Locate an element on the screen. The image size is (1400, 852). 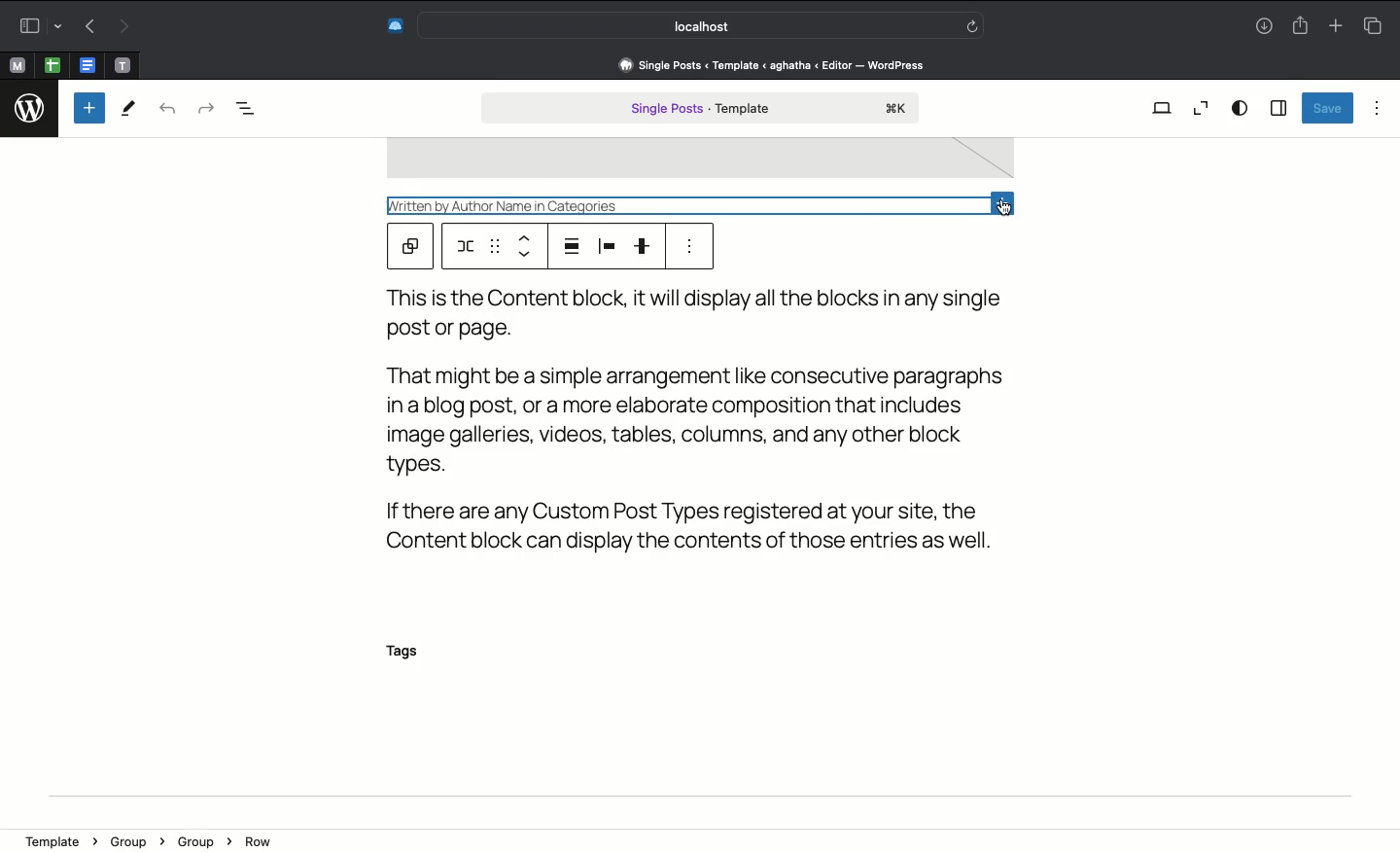
Options is located at coordinates (693, 248).